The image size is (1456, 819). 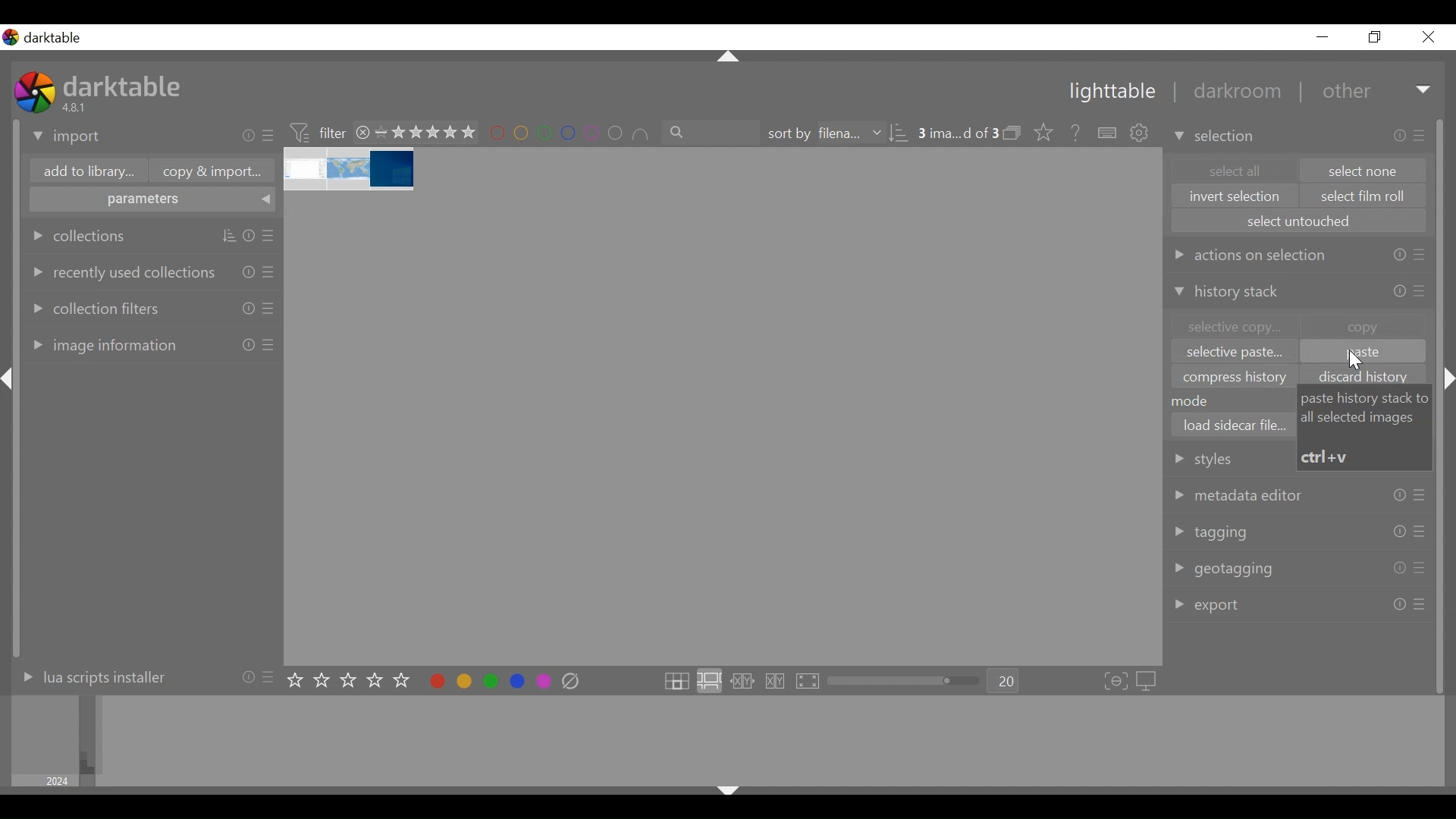 I want to click on selection, so click(x=1216, y=136).